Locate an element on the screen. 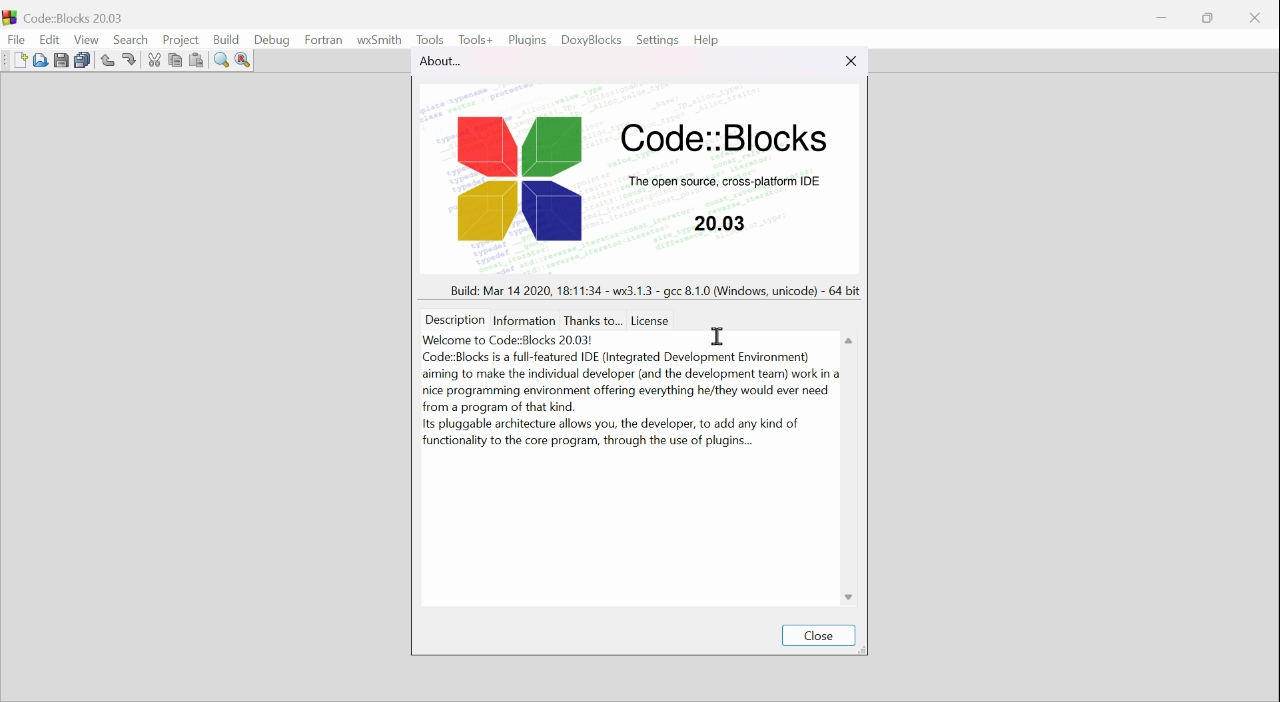 This screenshot has height=702, width=1280. Search is located at coordinates (131, 39).